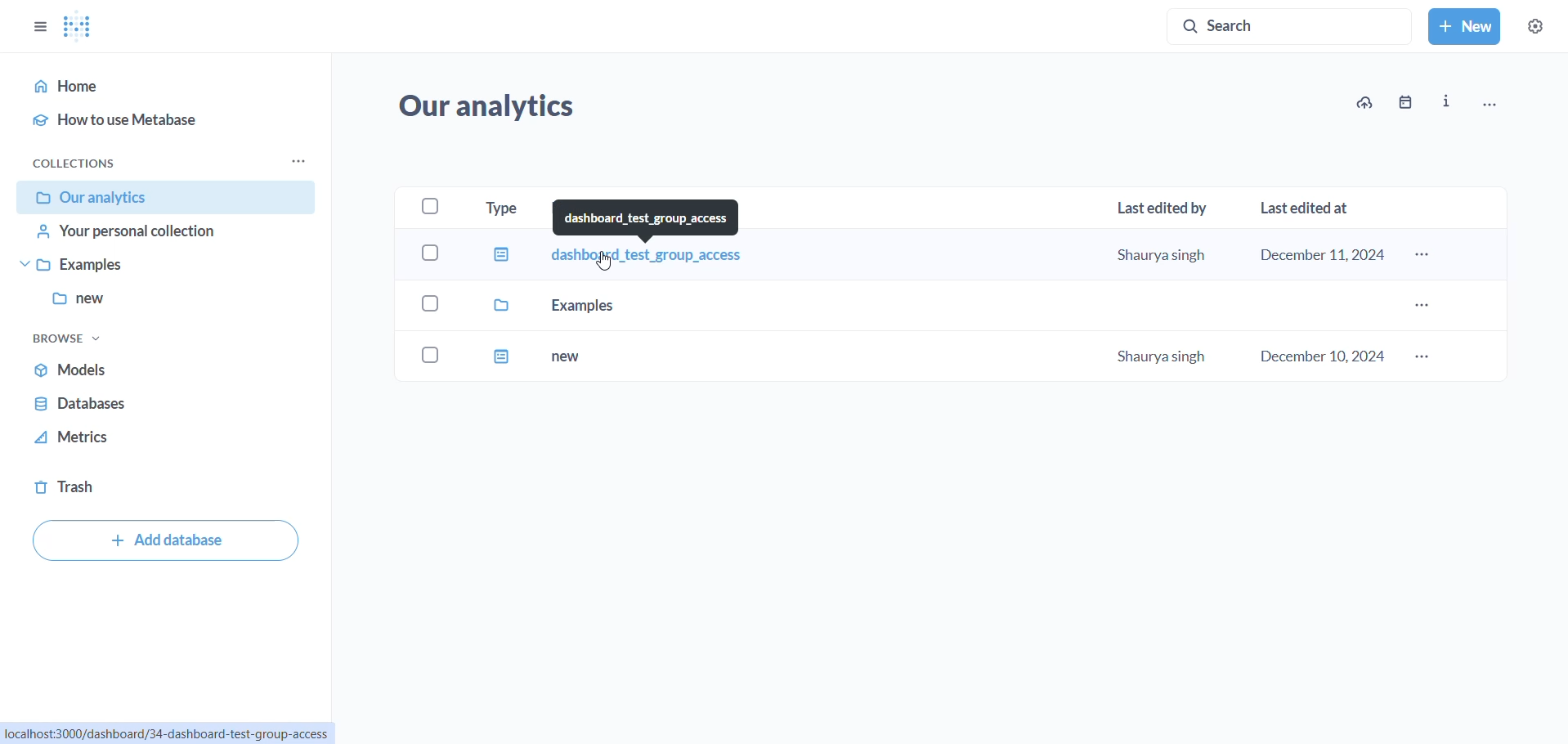  Describe the element at coordinates (1320, 254) in the screenshot. I see `December 11,2024` at that location.